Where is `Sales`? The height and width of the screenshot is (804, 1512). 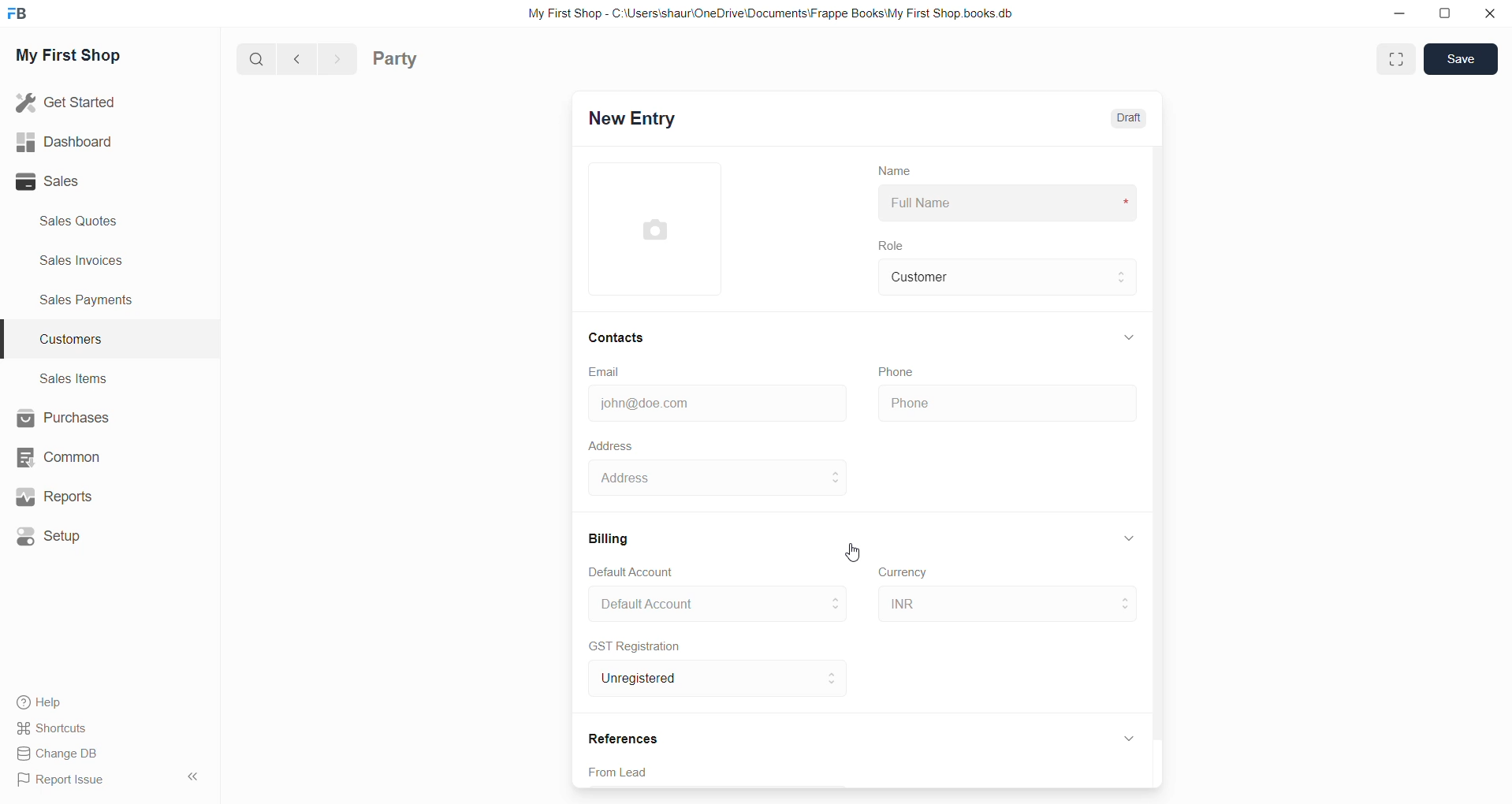
Sales is located at coordinates (66, 183).